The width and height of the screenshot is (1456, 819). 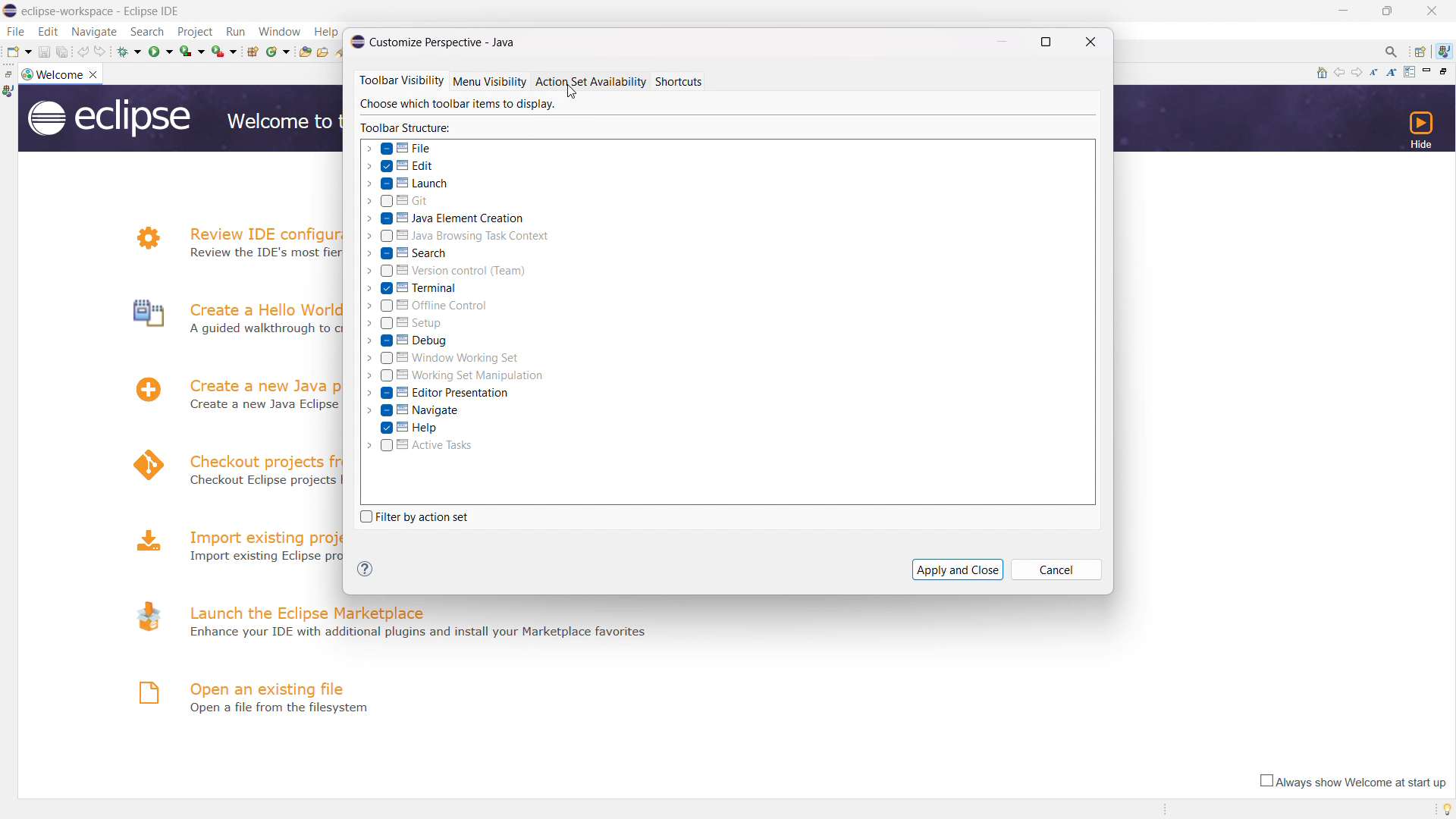 I want to click on version control (team), so click(x=445, y=270).